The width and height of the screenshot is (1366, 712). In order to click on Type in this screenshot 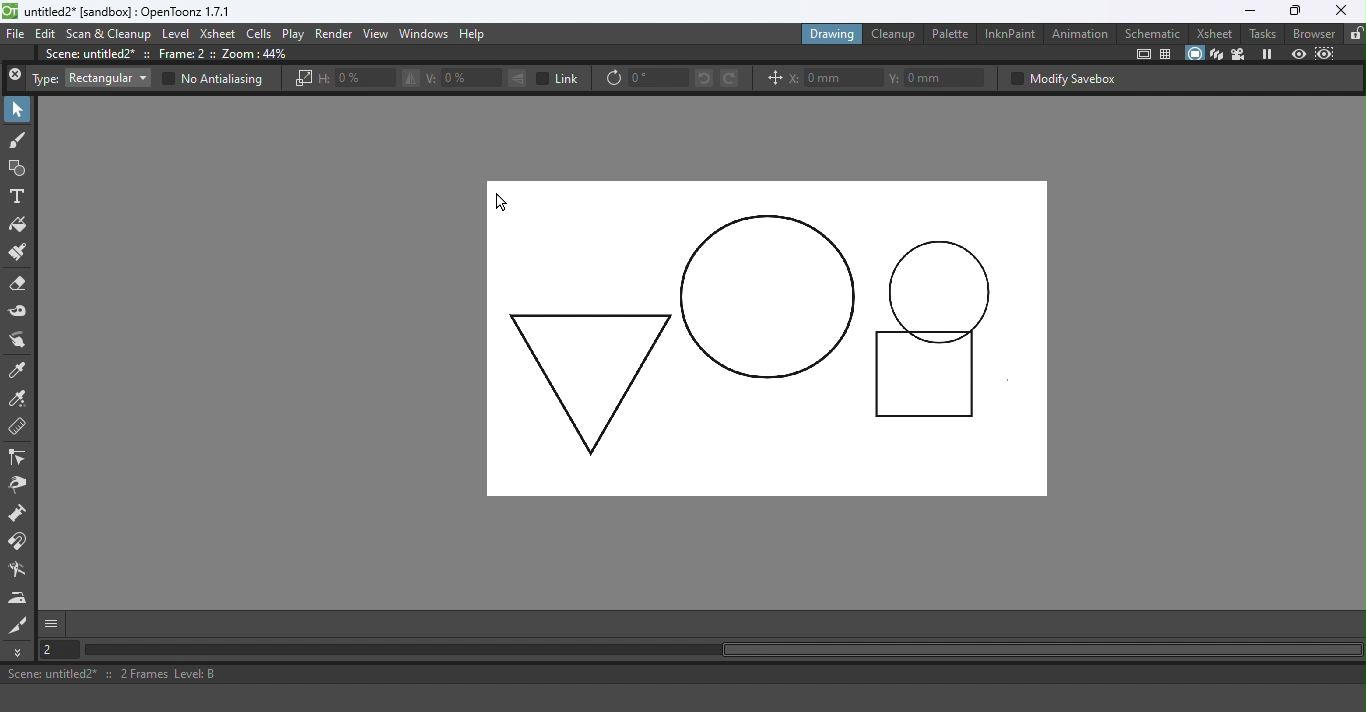, I will do `click(45, 79)`.